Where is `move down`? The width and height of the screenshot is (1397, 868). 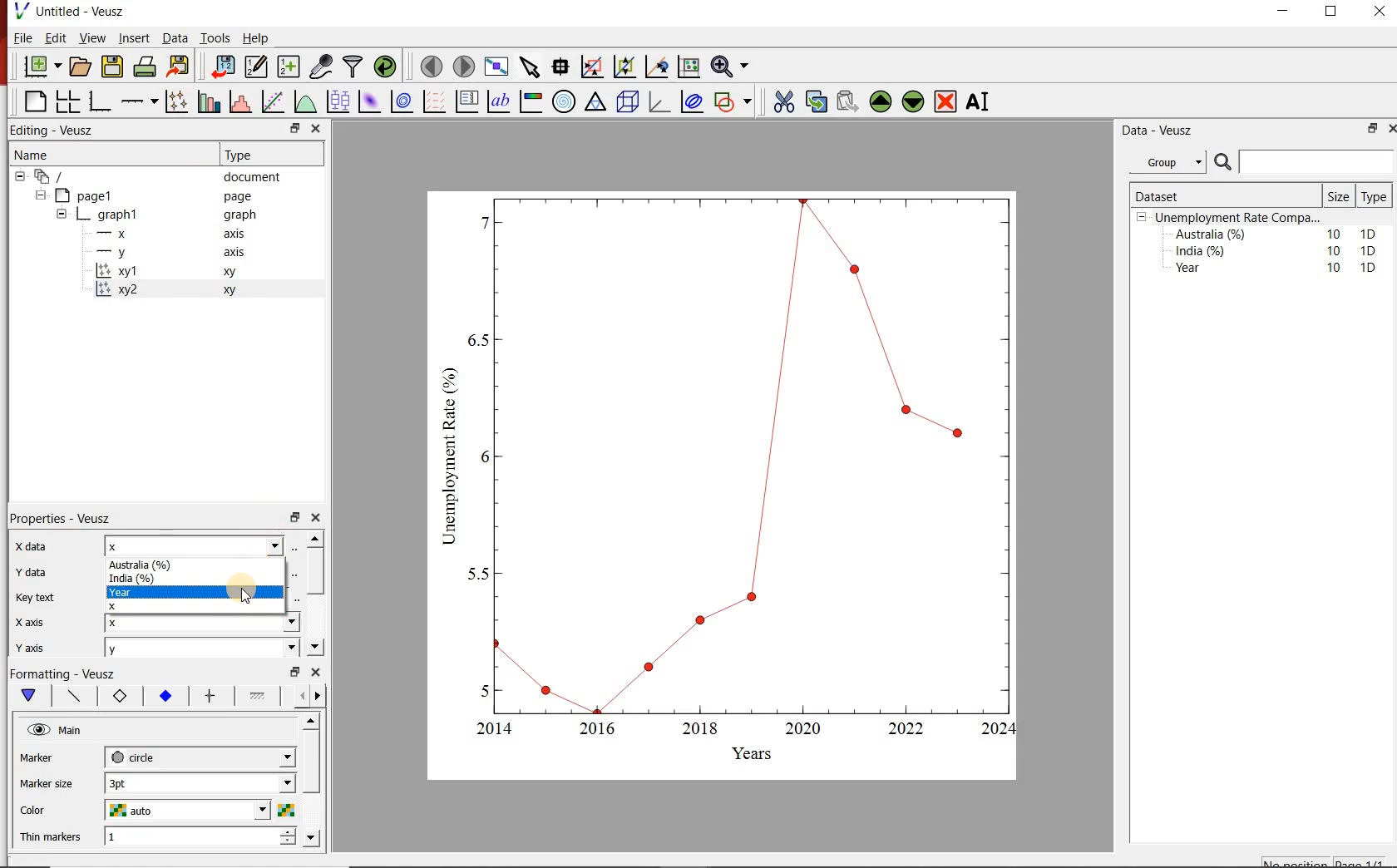
move down is located at coordinates (314, 646).